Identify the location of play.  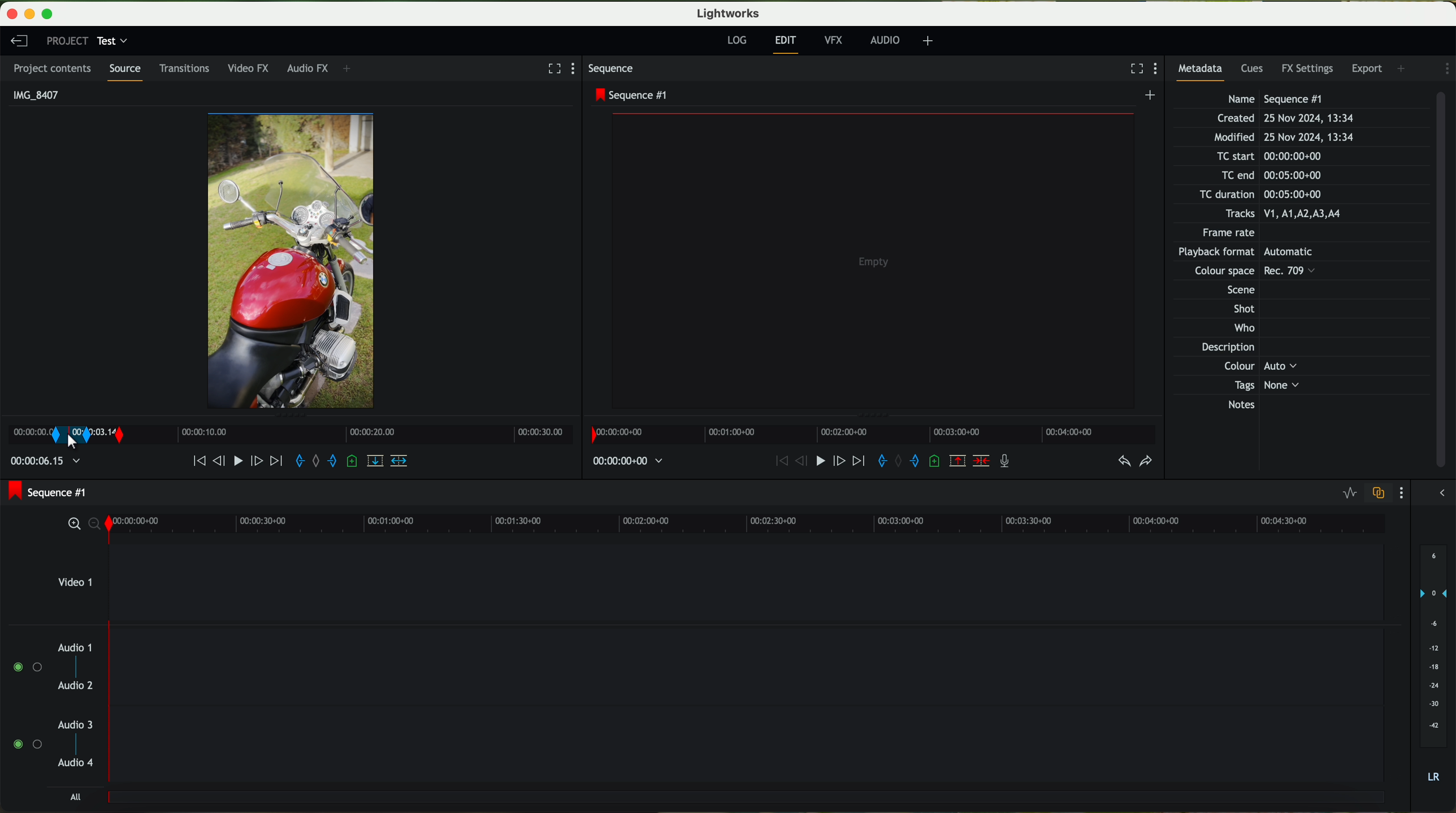
(814, 462).